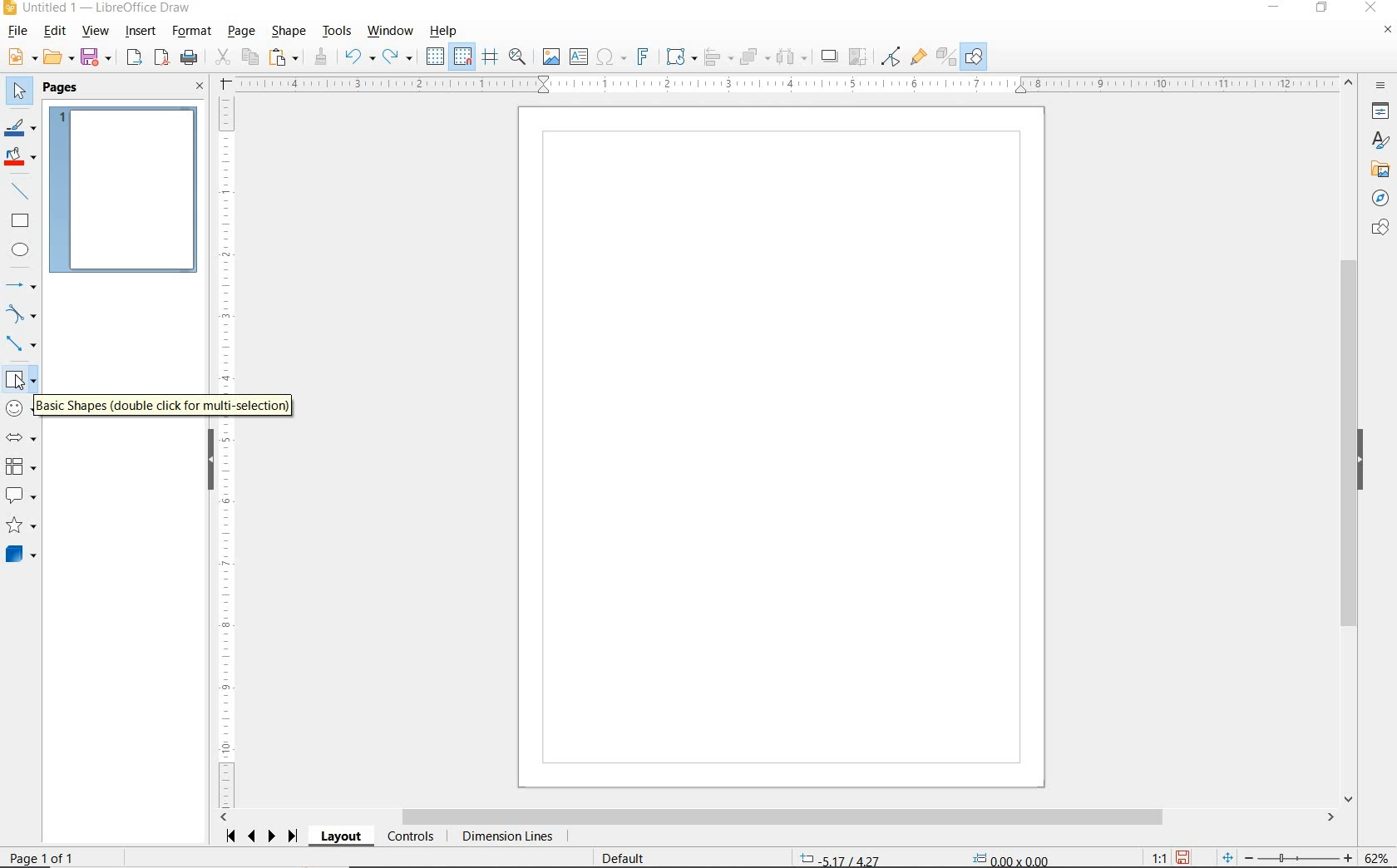 The image size is (1397, 868). Describe the element at coordinates (141, 32) in the screenshot. I see `INSERT` at that location.